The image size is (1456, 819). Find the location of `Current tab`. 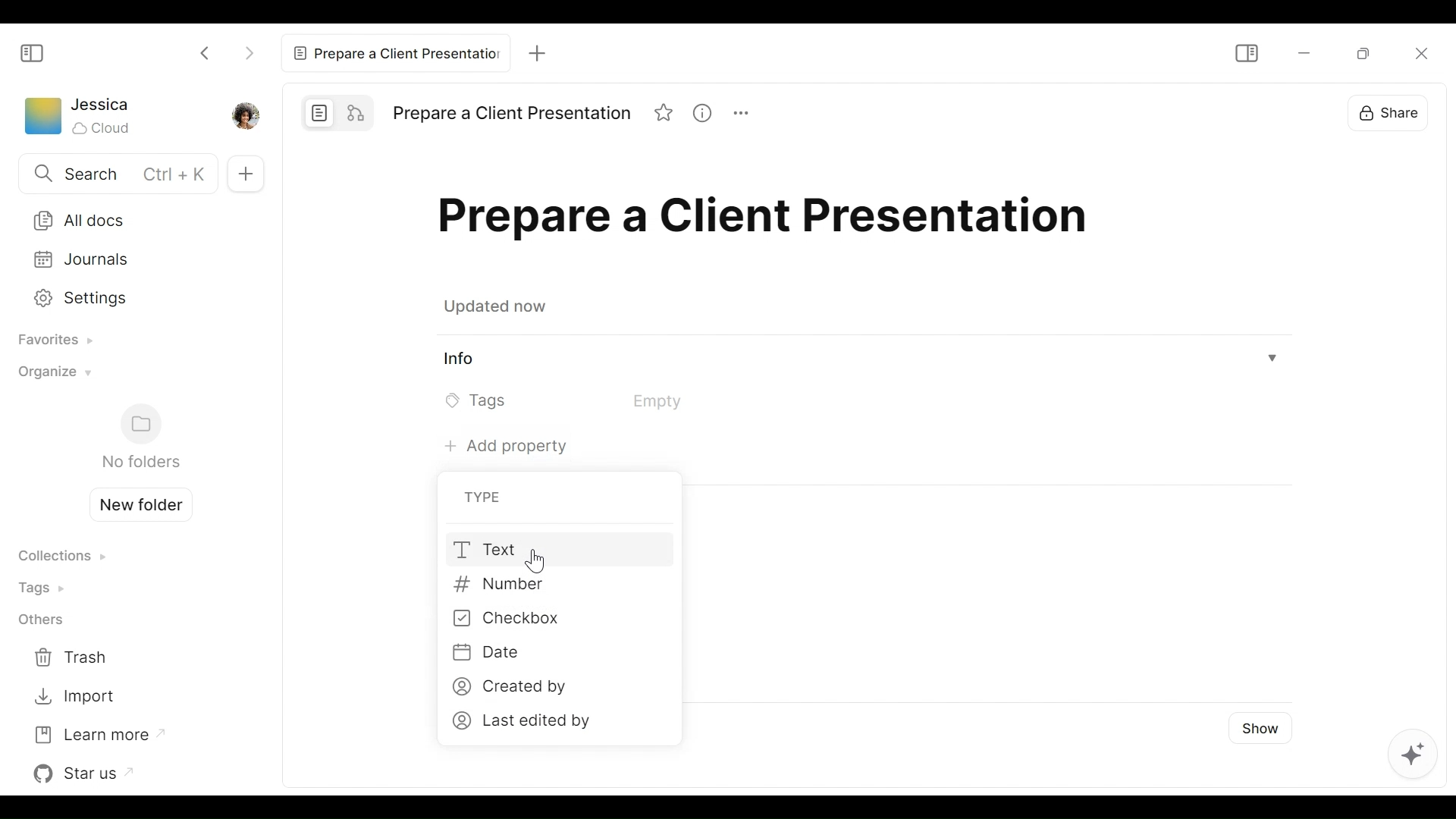

Current tab is located at coordinates (394, 52).